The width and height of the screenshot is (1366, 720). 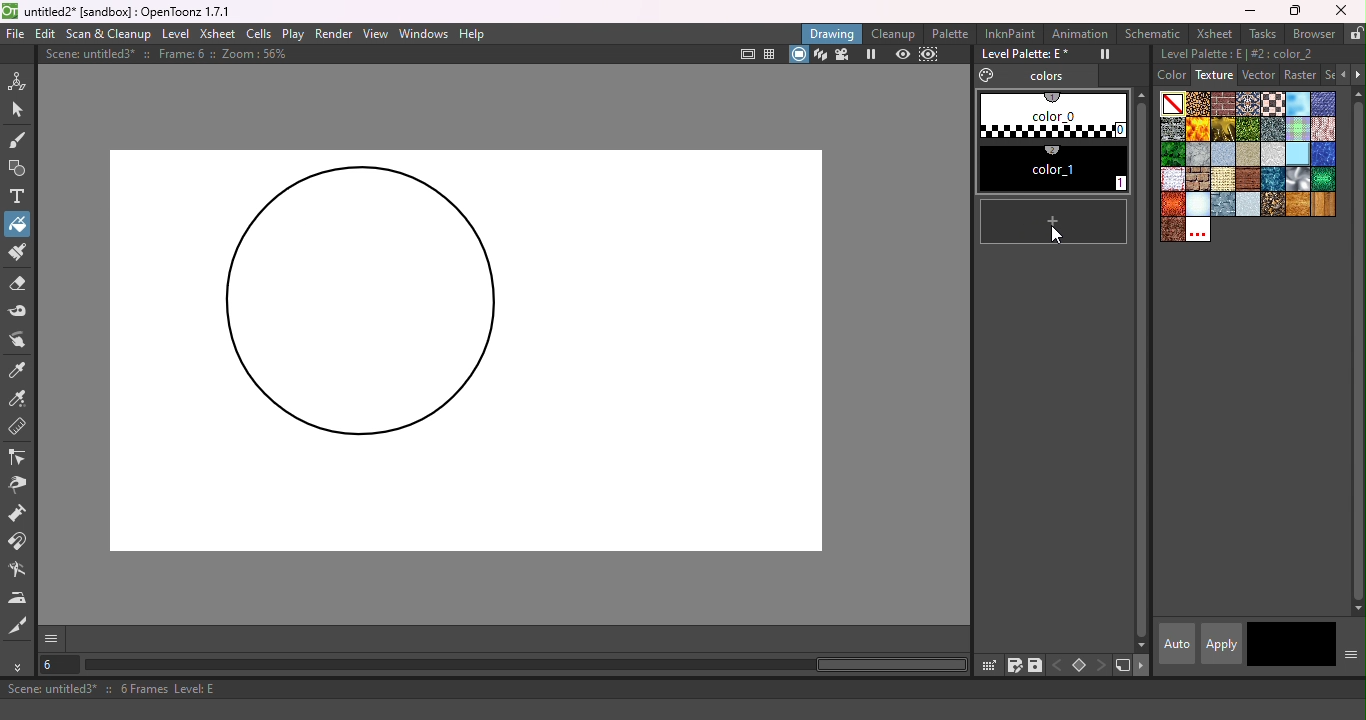 I want to click on Schematic, so click(x=1151, y=34).